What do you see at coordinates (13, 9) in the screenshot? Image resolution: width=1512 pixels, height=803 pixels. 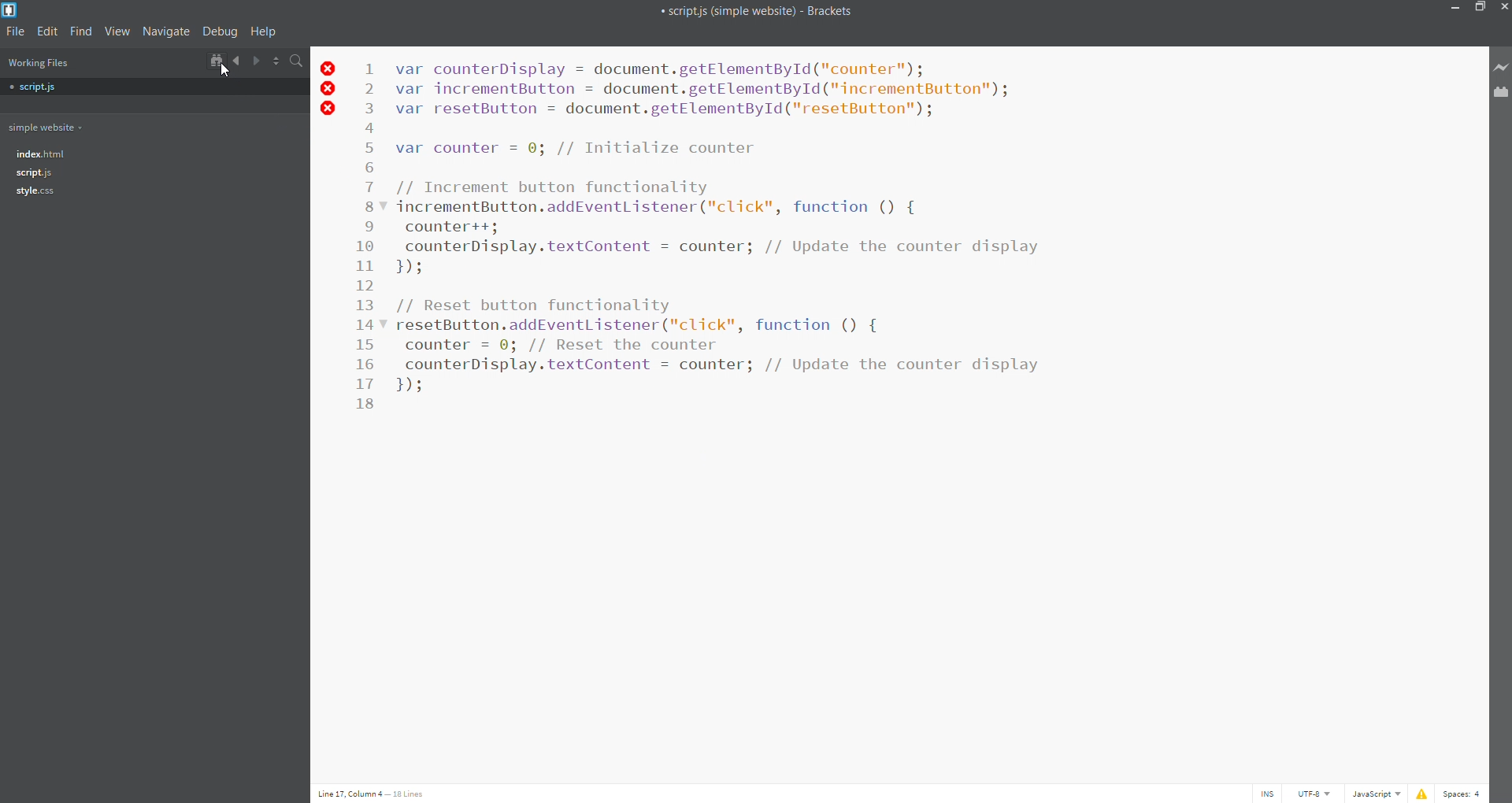 I see `logo` at bounding box center [13, 9].